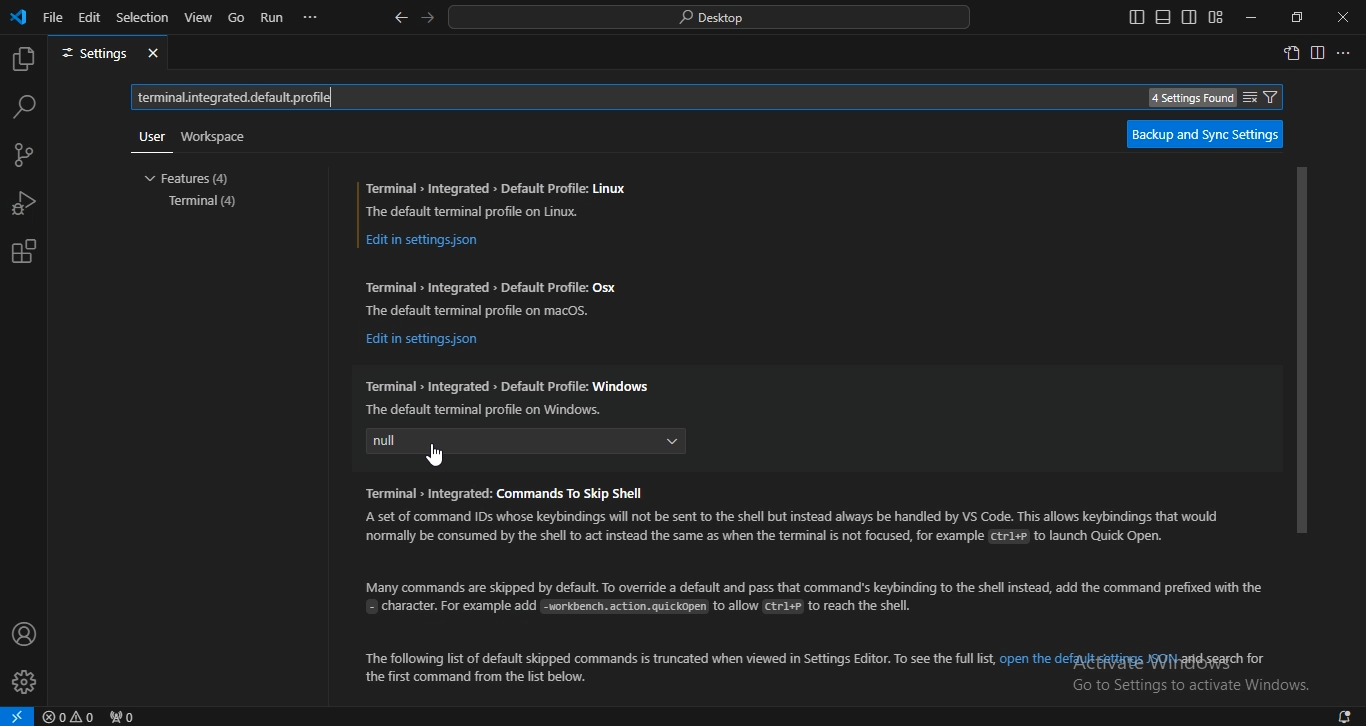  What do you see at coordinates (1216, 16) in the screenshot?
I see `customize layout` at bounding box center [1216, 16].